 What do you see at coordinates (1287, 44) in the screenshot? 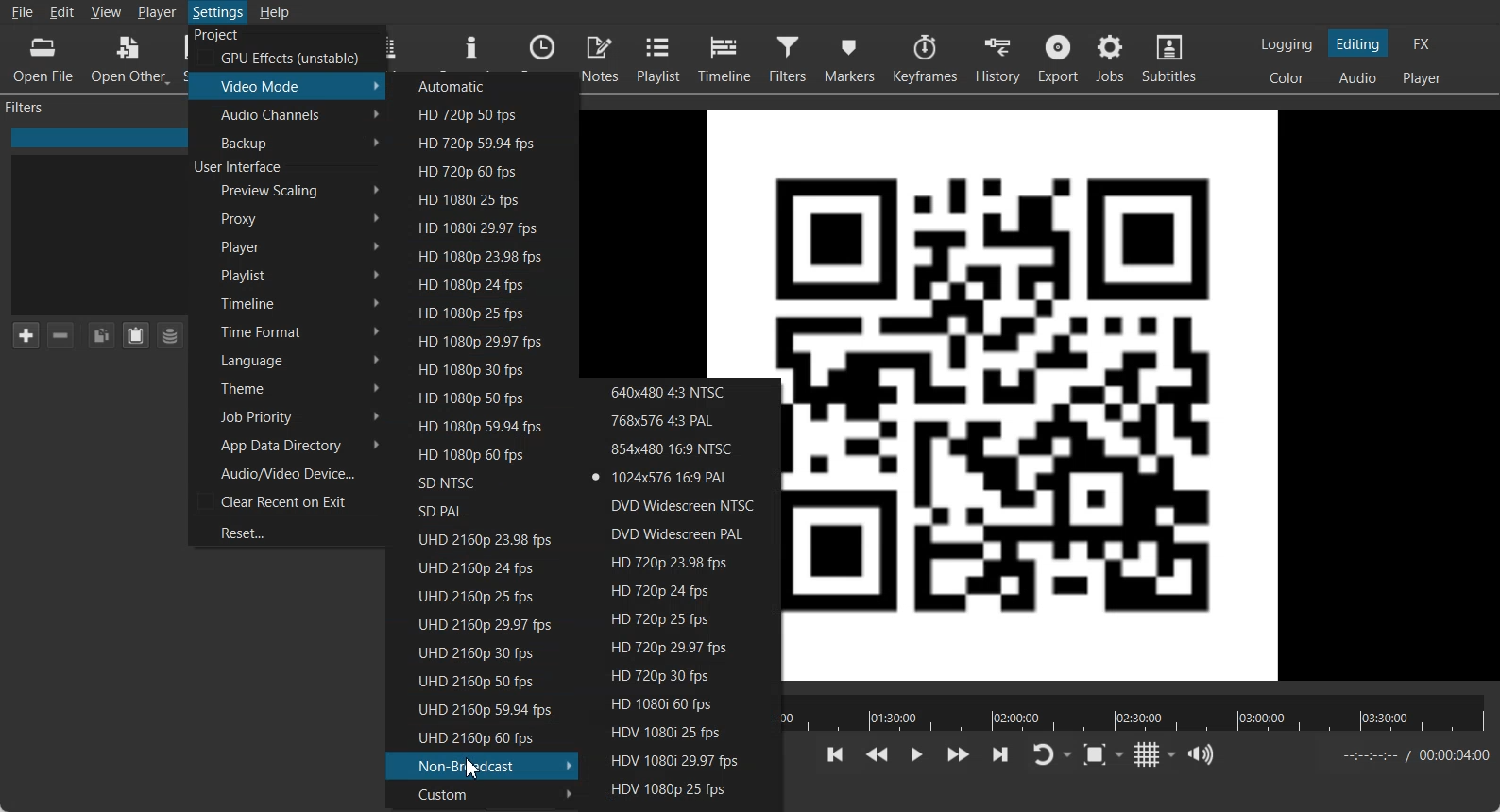
I see `Switch to the Logging layout` at bounding box center [1287, 44].